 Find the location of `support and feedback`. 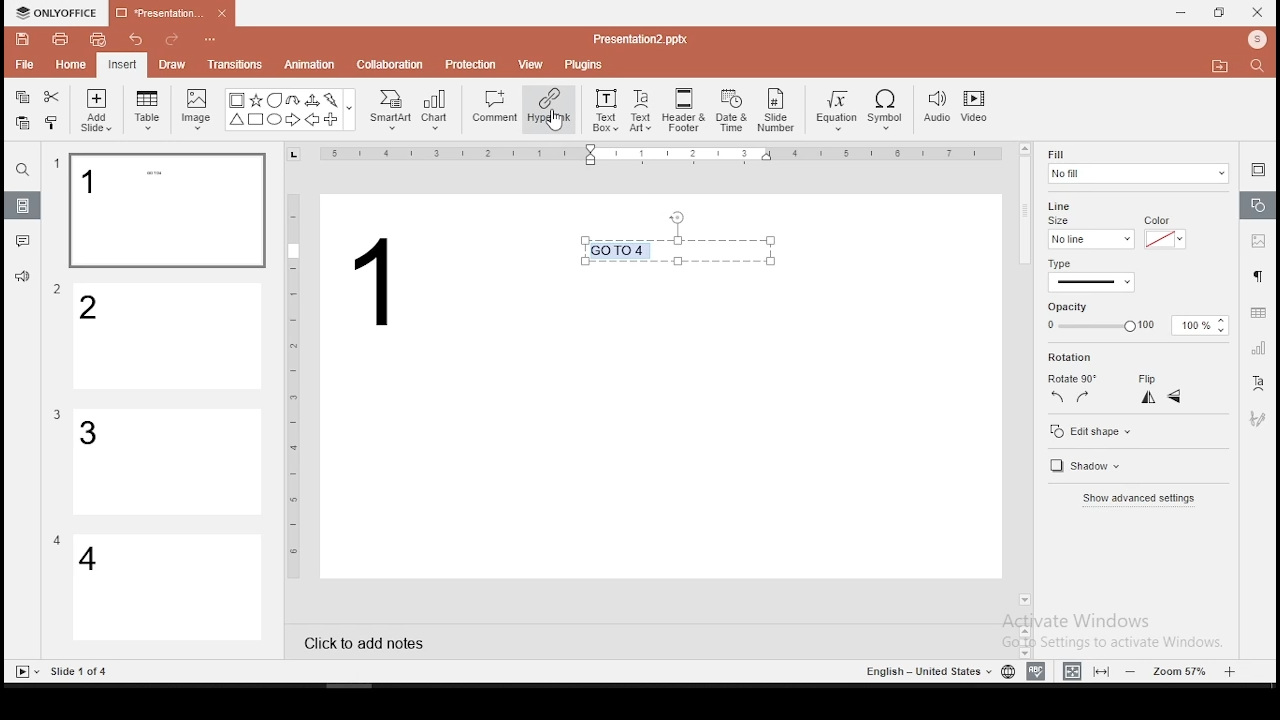

support and feedback is located at coordinates (22, 279).